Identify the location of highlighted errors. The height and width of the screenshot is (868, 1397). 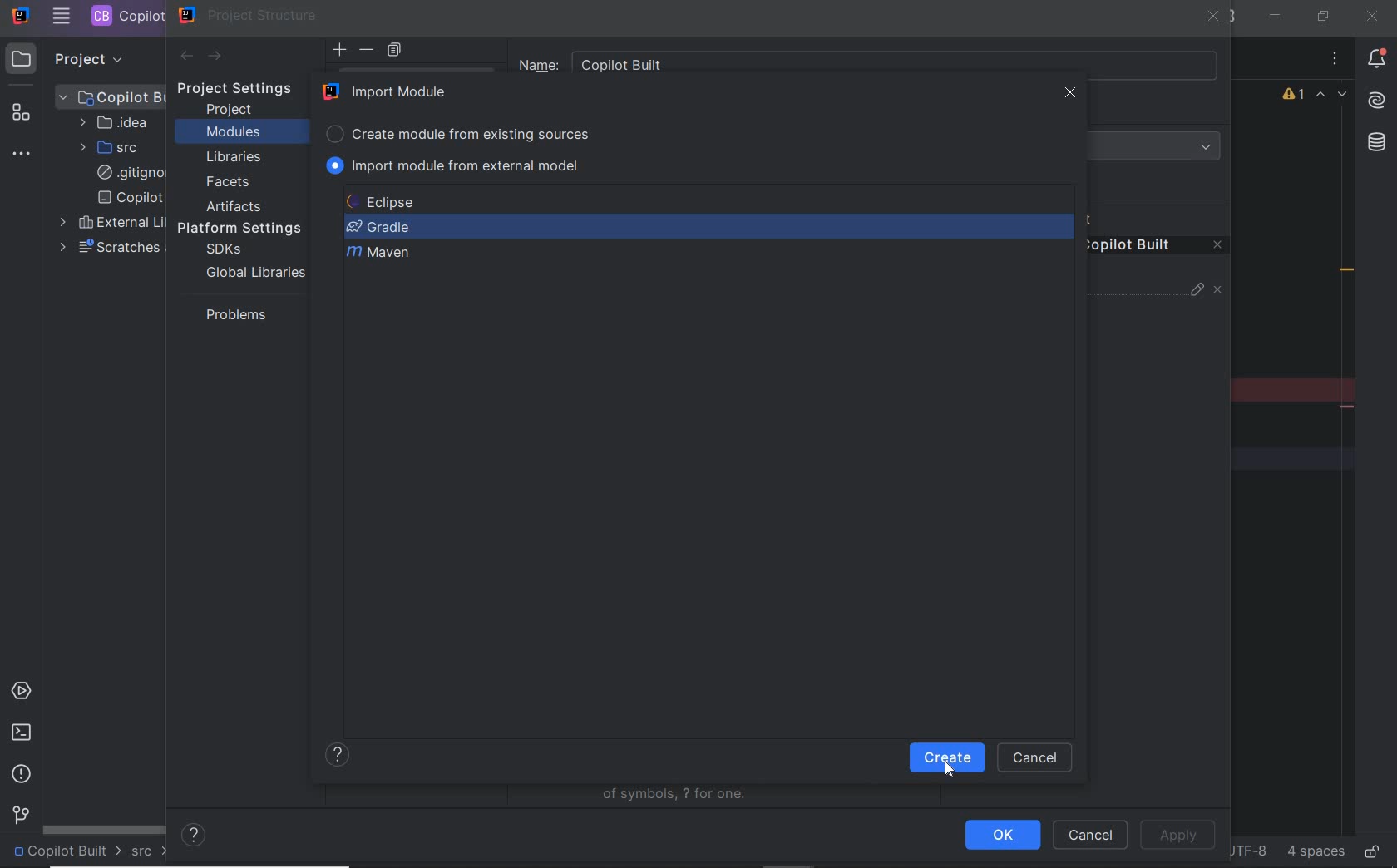
(1332, 96).